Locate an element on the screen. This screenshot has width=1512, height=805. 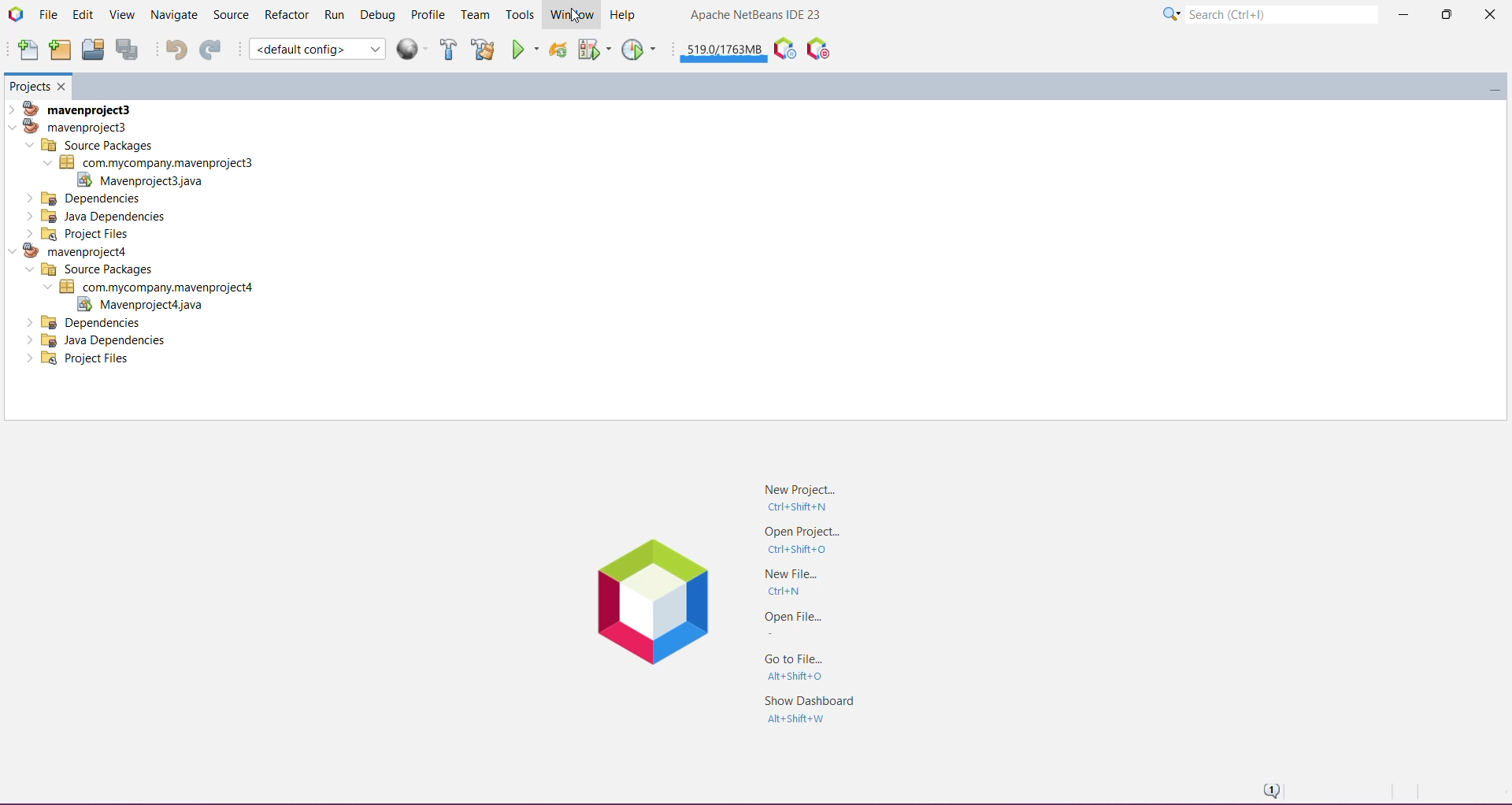
Dependencies is located at coordinates (86, 198).